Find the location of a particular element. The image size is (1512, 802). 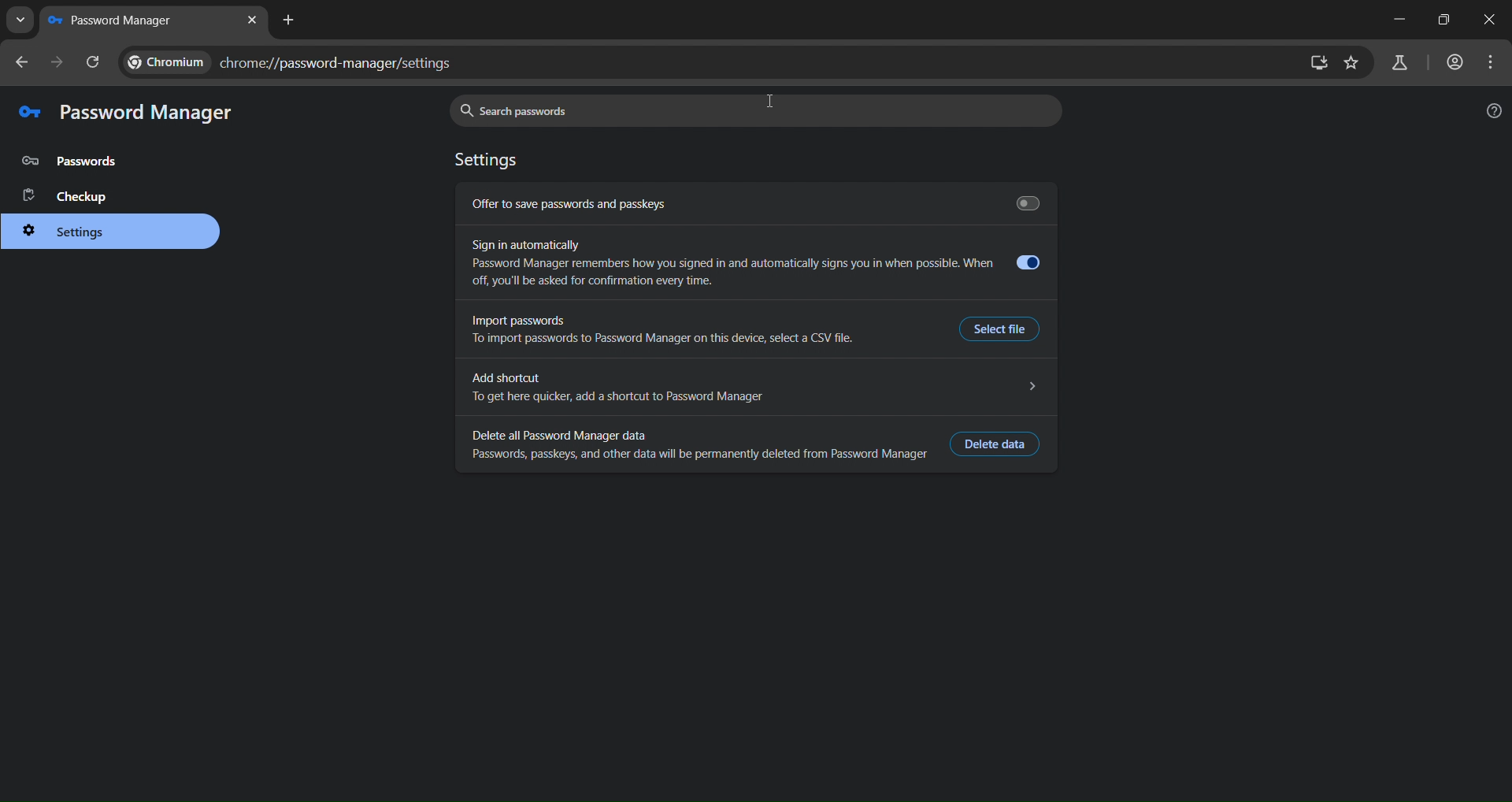

search passwords is located at coordinates (754, 110).